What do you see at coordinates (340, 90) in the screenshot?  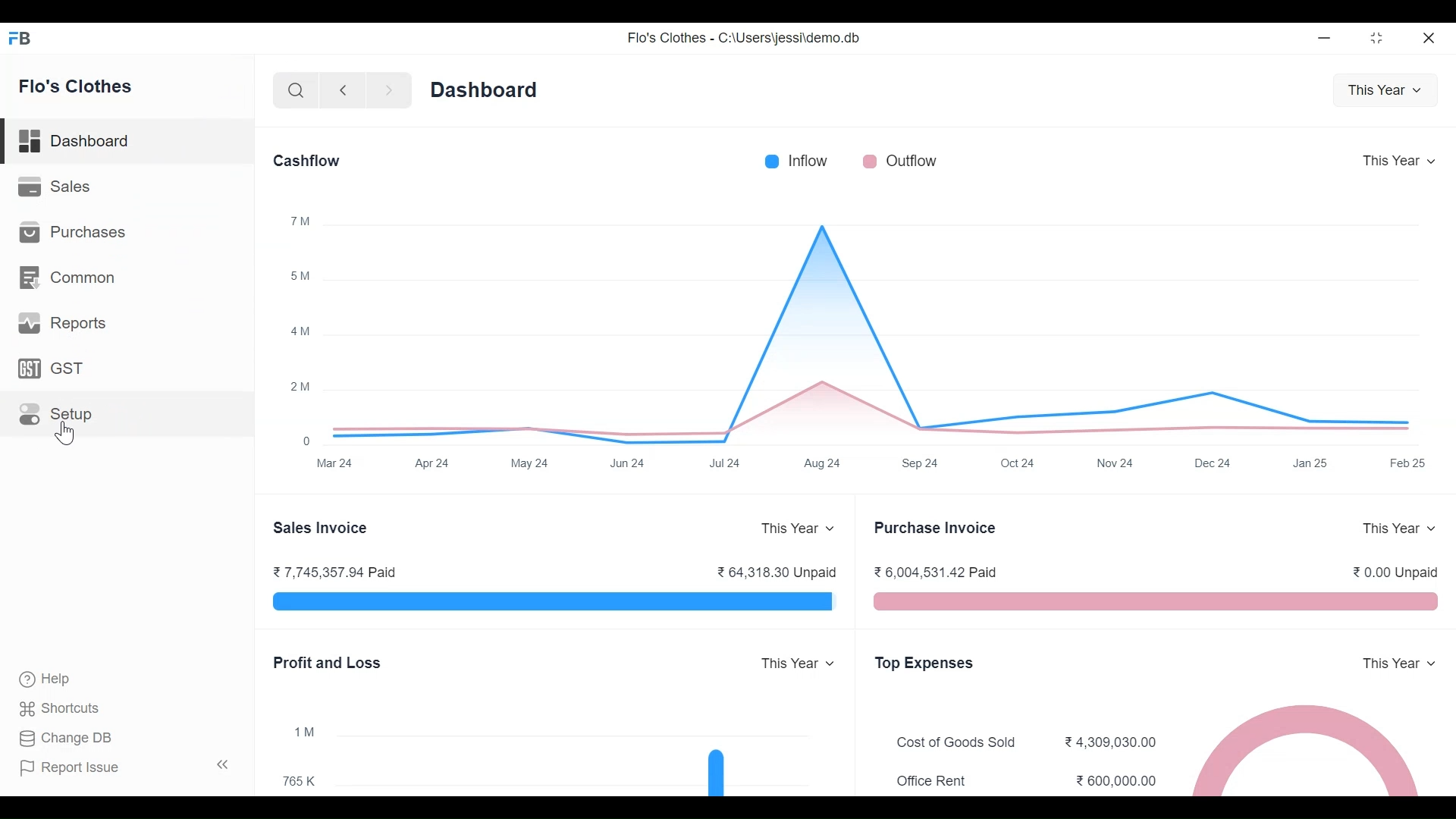 I see `Navigate back` at bounding box center [340, 90].